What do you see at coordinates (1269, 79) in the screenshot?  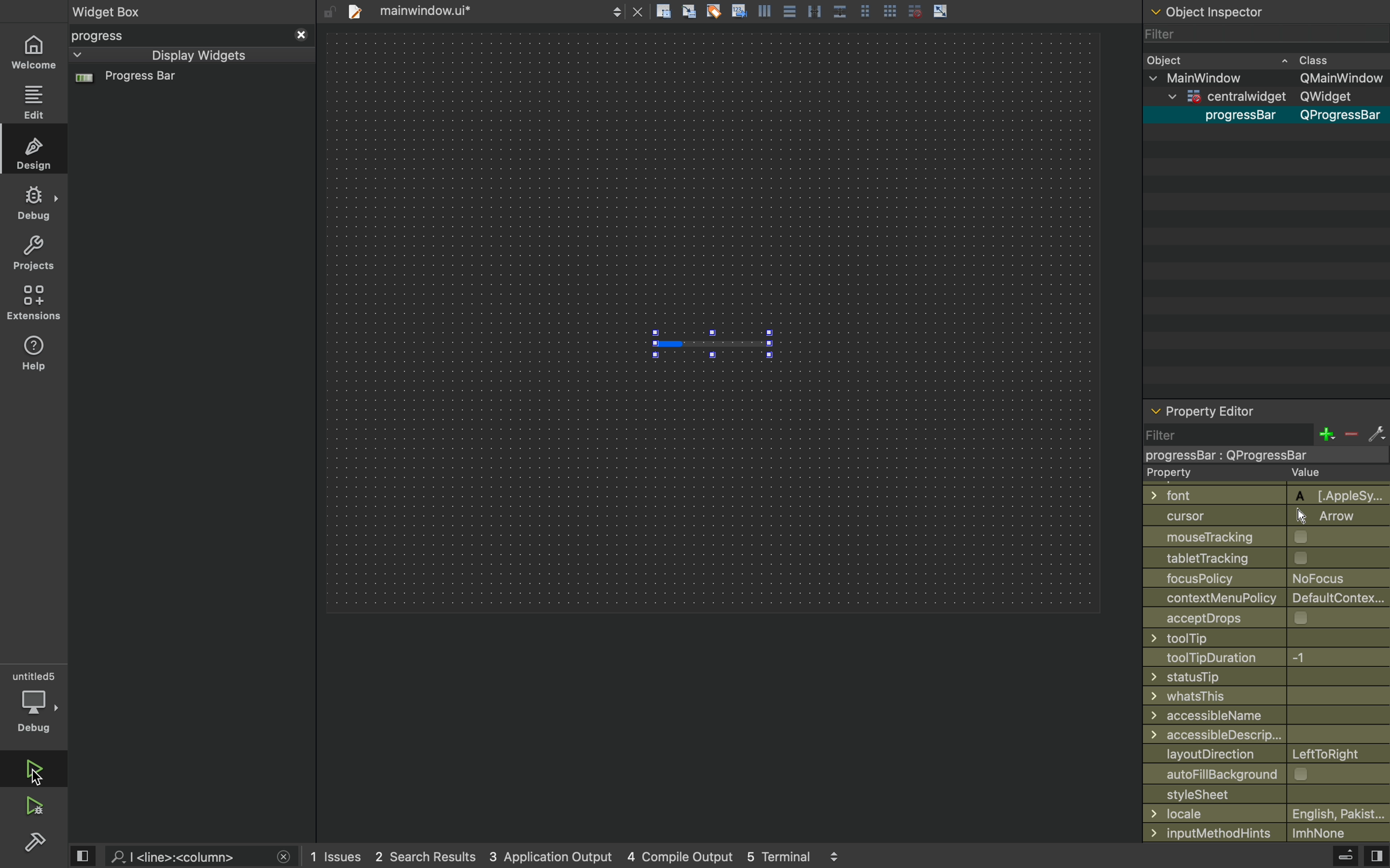 I see `mainwindow` at bounding box center [1269, 79].